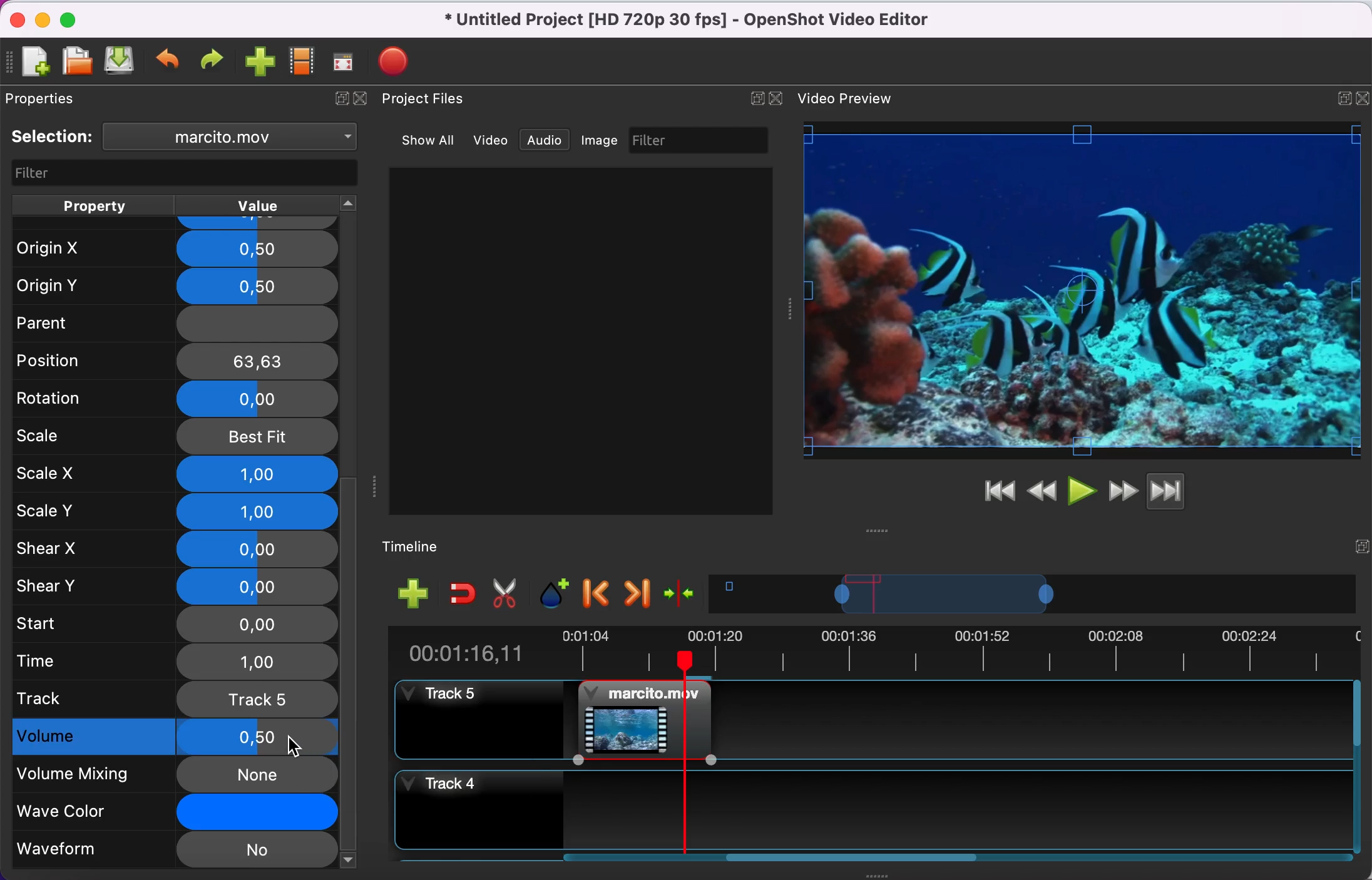  What do you see at coordinates (301, 62) in the screenshot?
I see `choose profile` at bounding box center [301, 62].